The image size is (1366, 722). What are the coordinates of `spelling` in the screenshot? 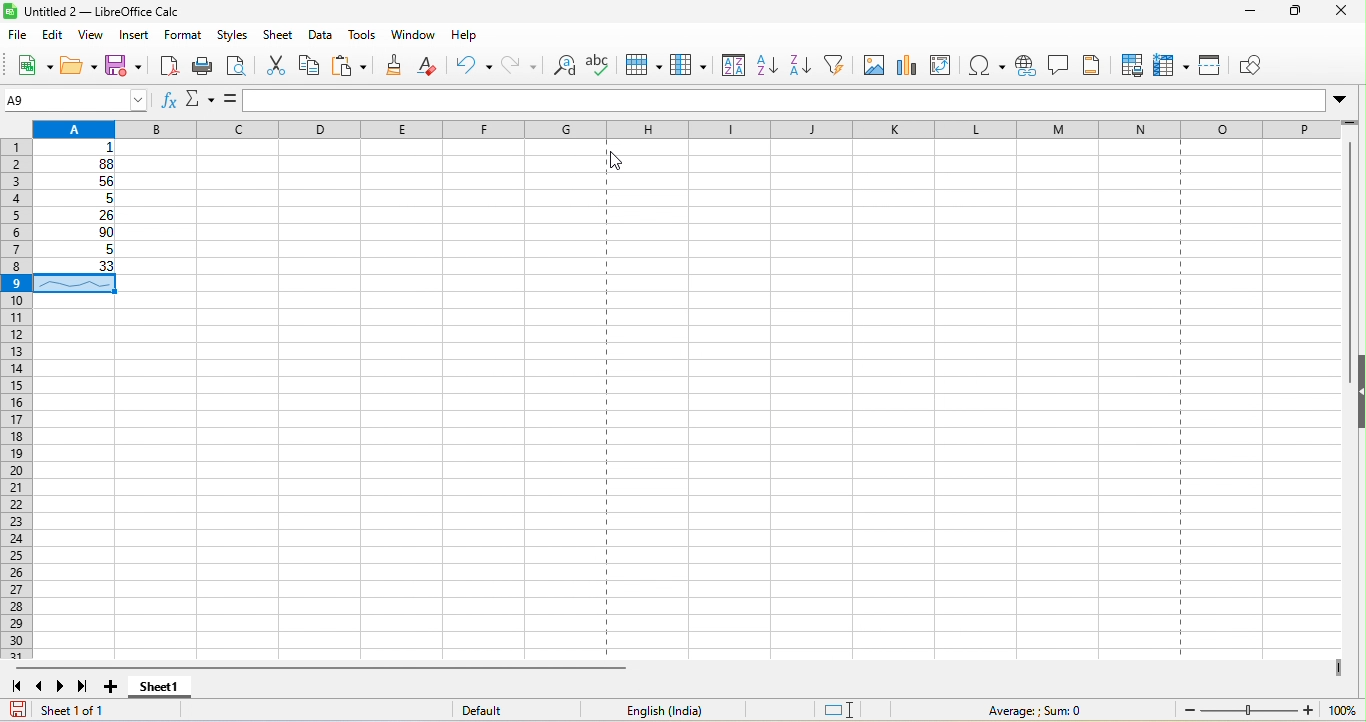 It's located at (598, 70).